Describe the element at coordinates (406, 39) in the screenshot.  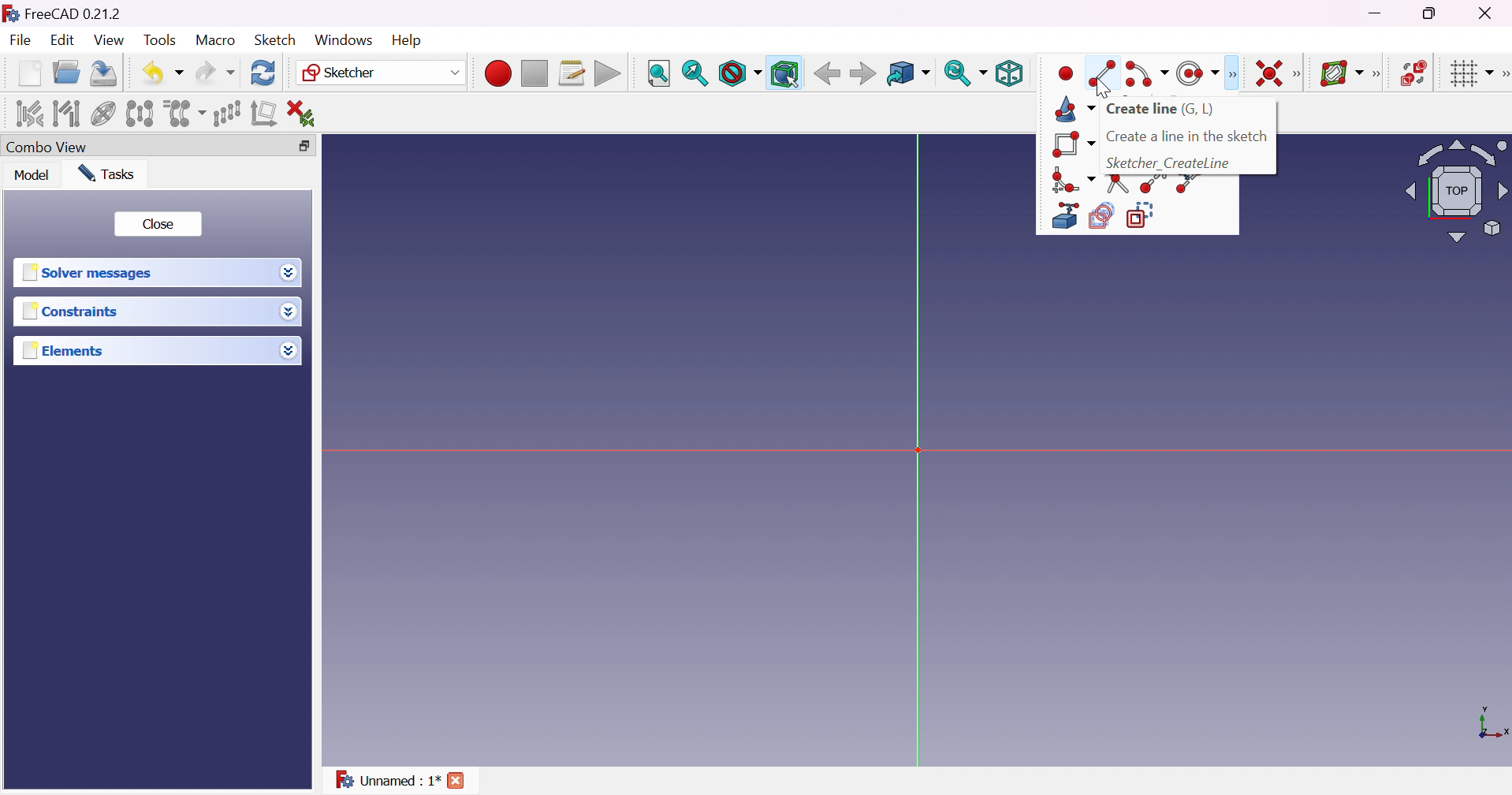
I see `Help` at that location.